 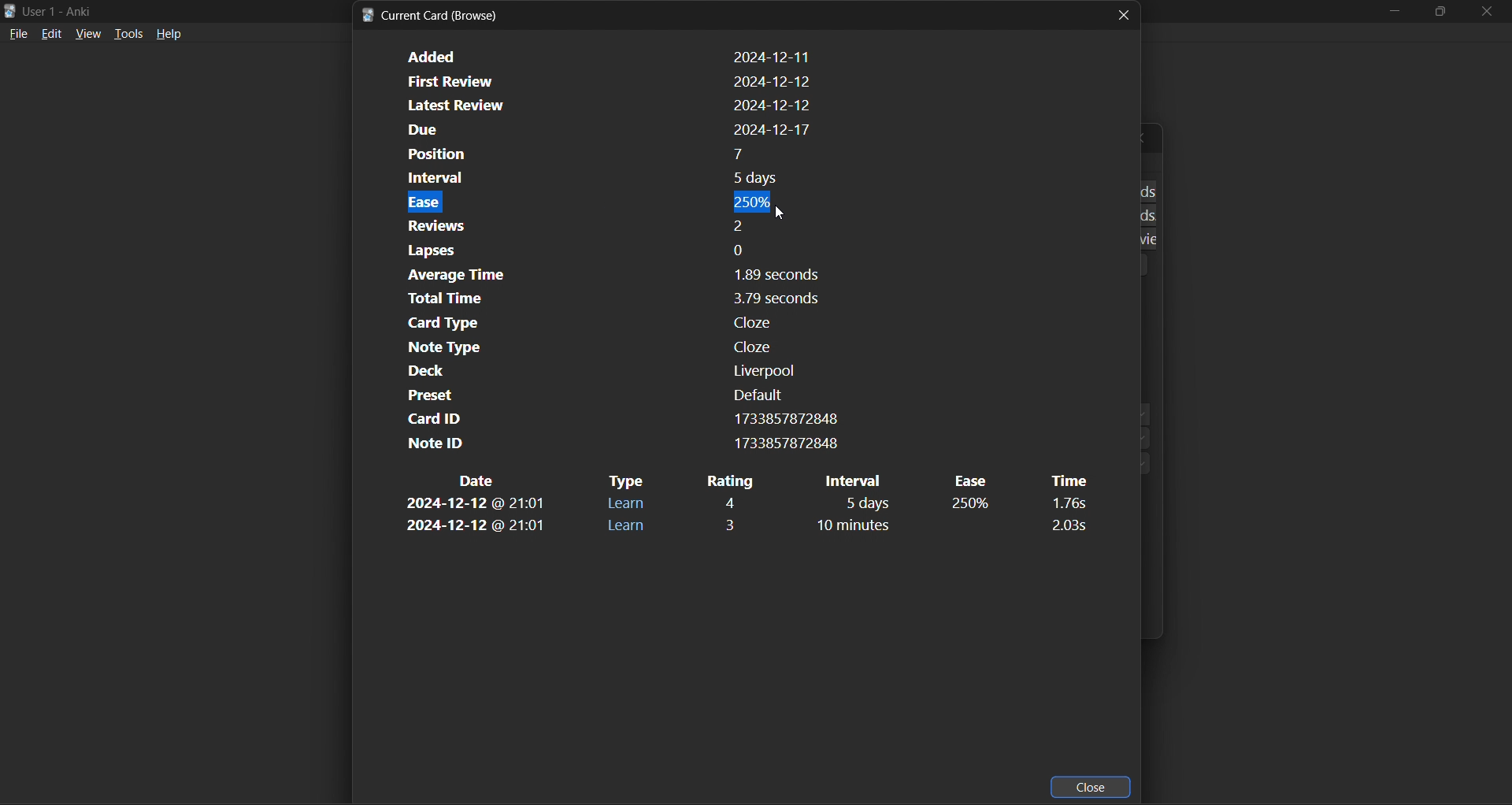 What do you see at coordinates (626, 481) in the screenshot?
I see `type` at bounding box center [626, 481].